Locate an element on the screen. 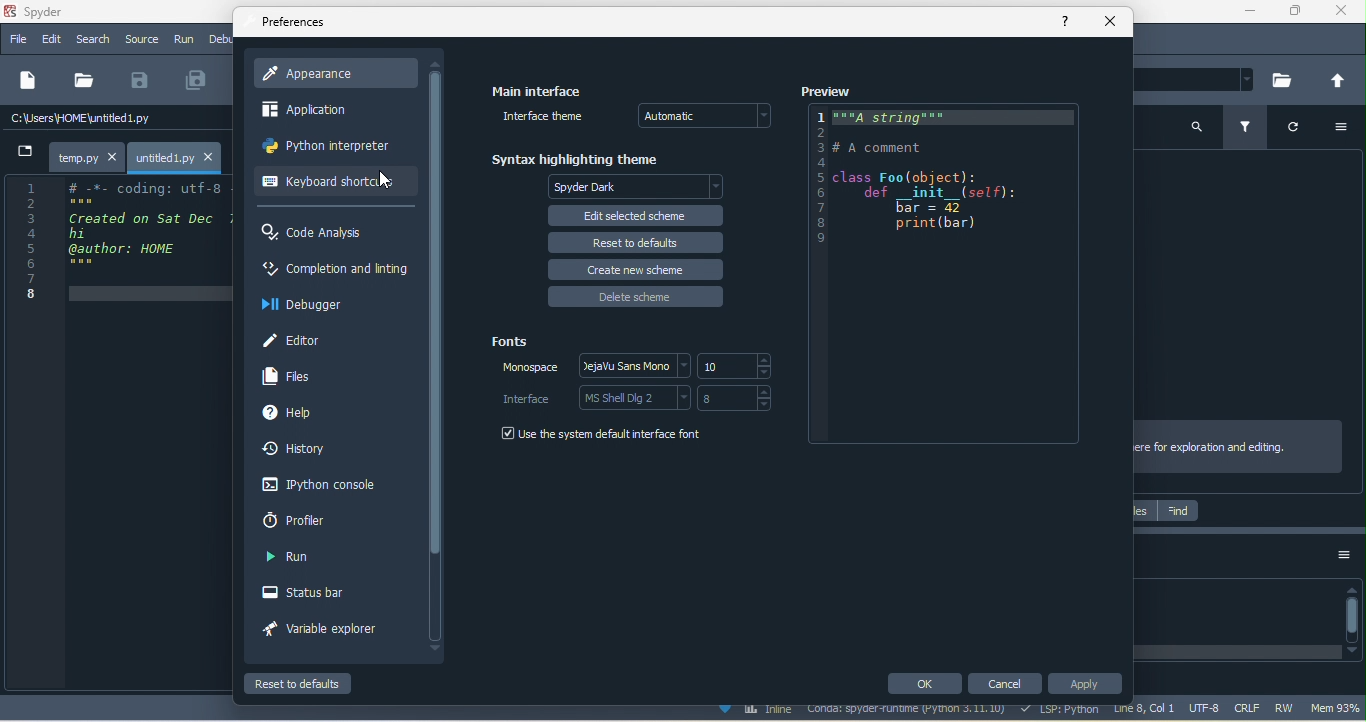  run is located at coordinates (184, 40).